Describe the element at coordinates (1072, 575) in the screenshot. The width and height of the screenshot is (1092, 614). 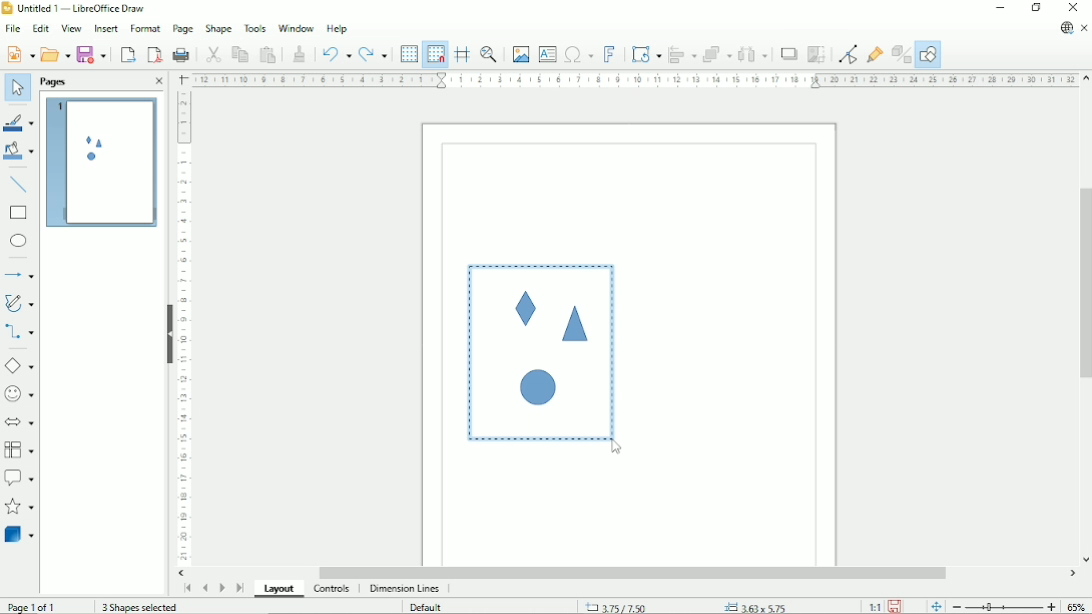
I see `Horizontal scroll button` at that location.